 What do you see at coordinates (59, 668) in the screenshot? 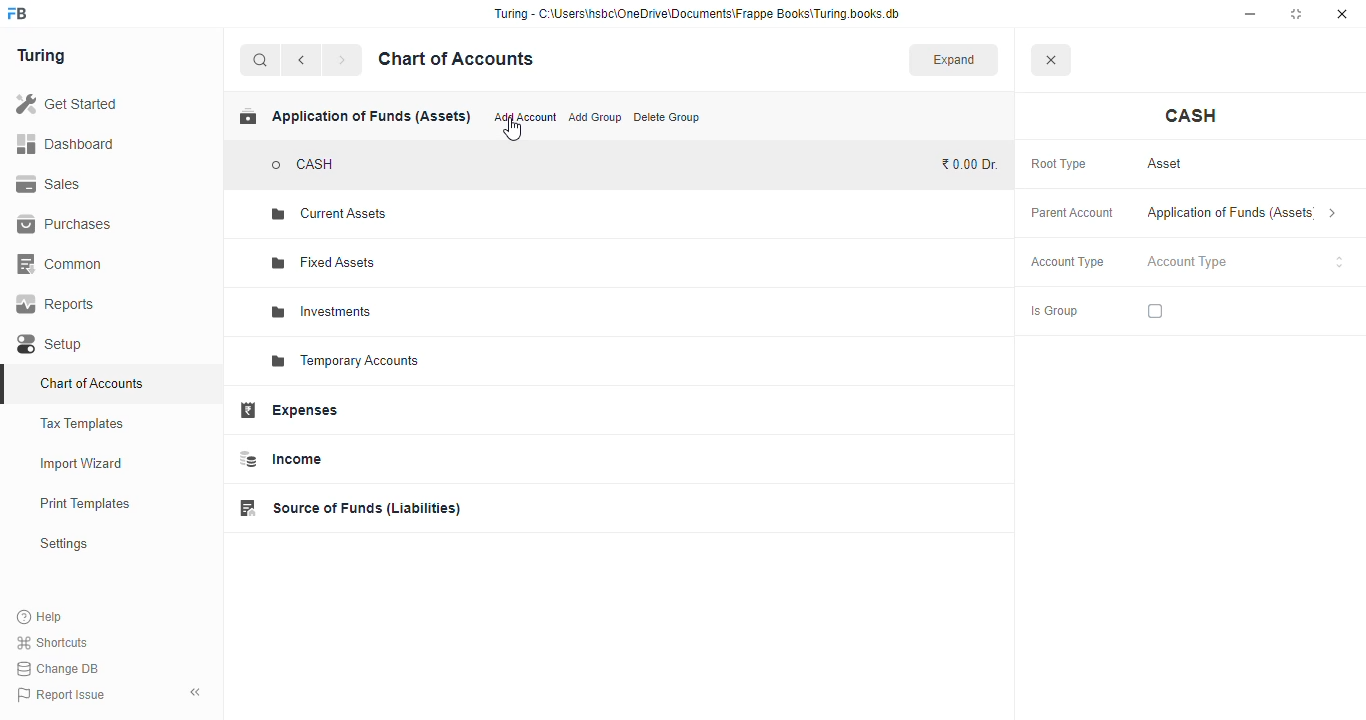
I see `change DB` at bounding box center [59, 668].